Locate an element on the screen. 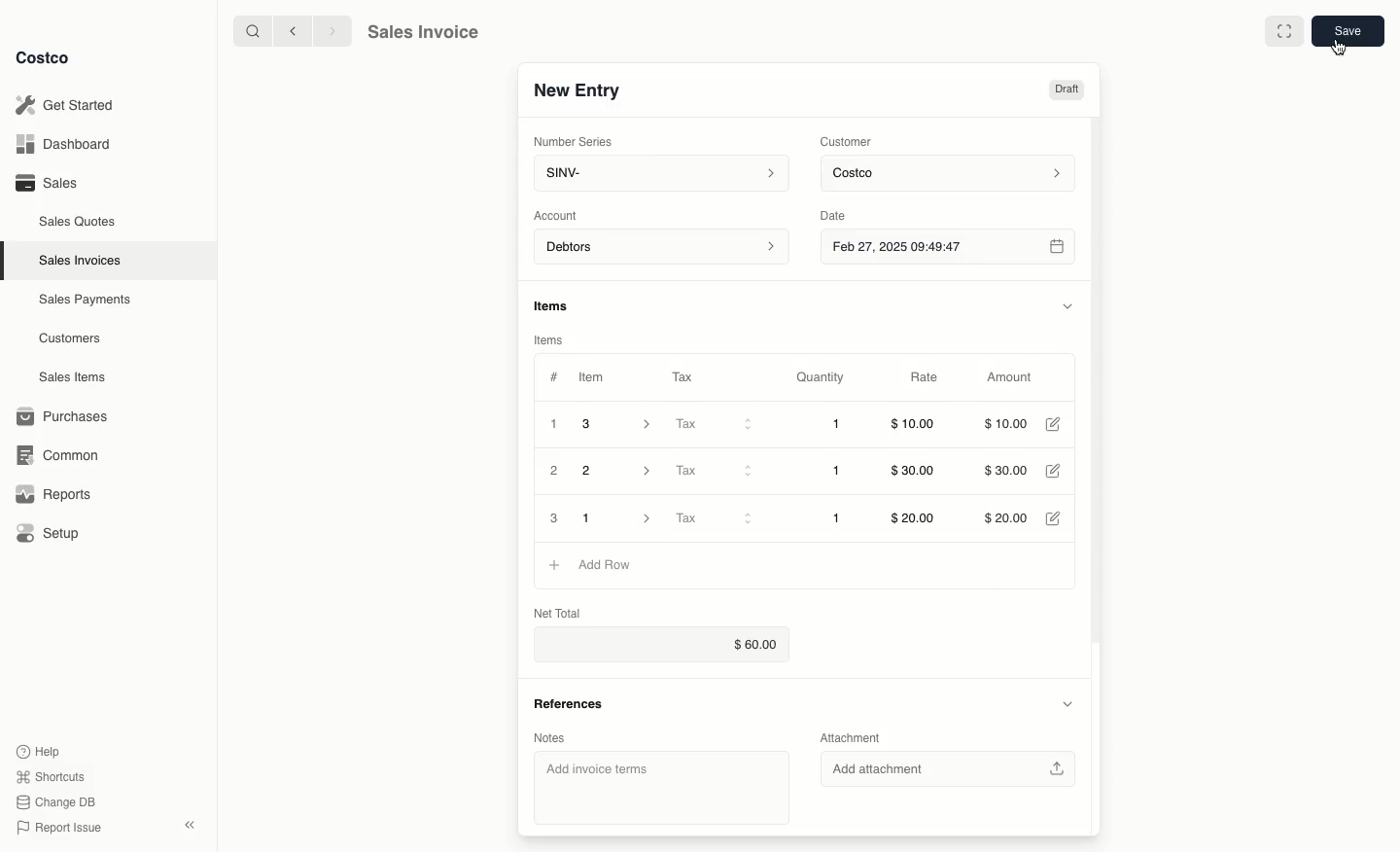 This screenshot has height=852, width=1400. $20.00 is located at coordinates (1009, 516).